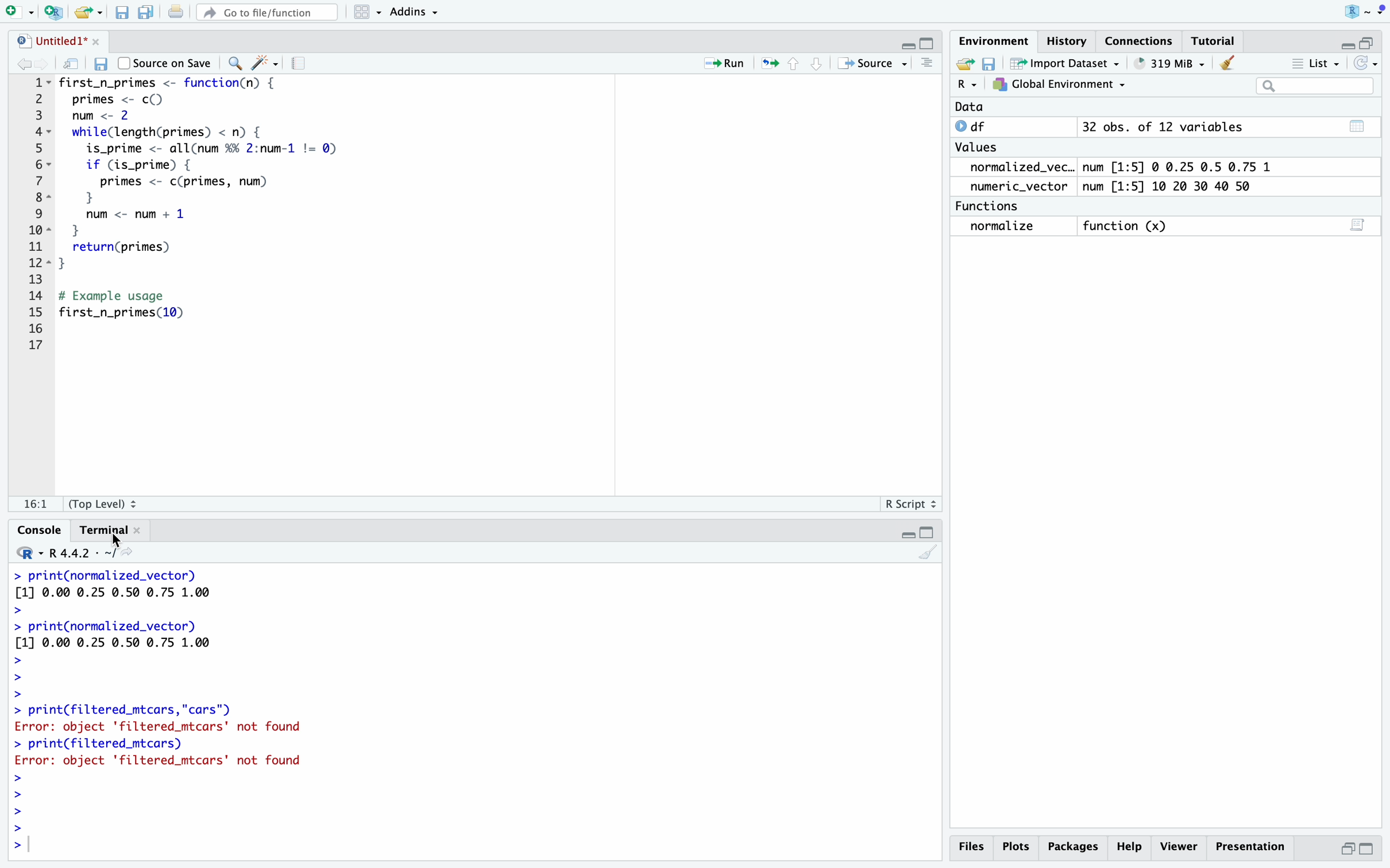  I want to click on maximize/minimize button, so click(1358, 848).